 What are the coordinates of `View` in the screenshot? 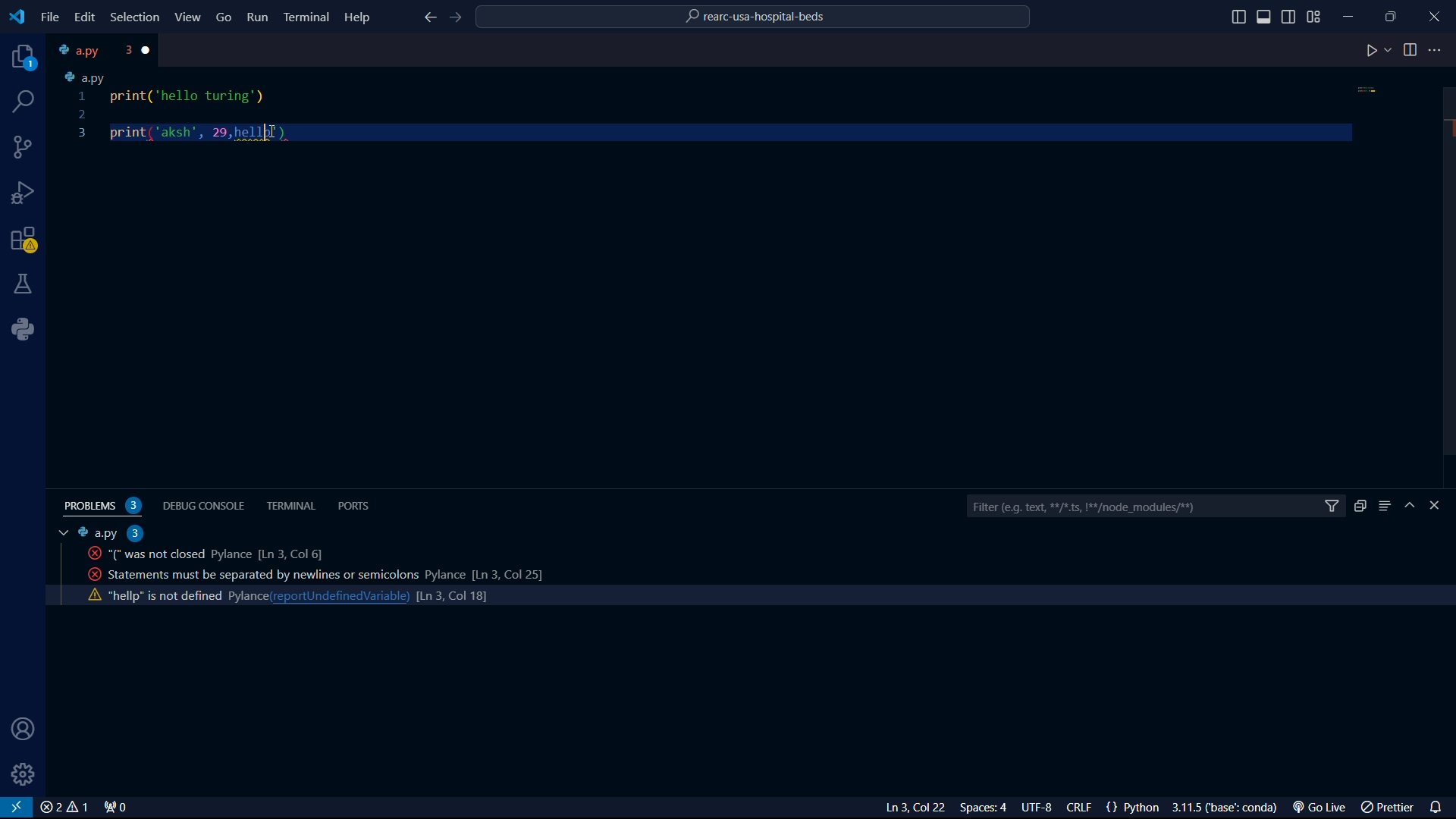 It's located at (189, 17).